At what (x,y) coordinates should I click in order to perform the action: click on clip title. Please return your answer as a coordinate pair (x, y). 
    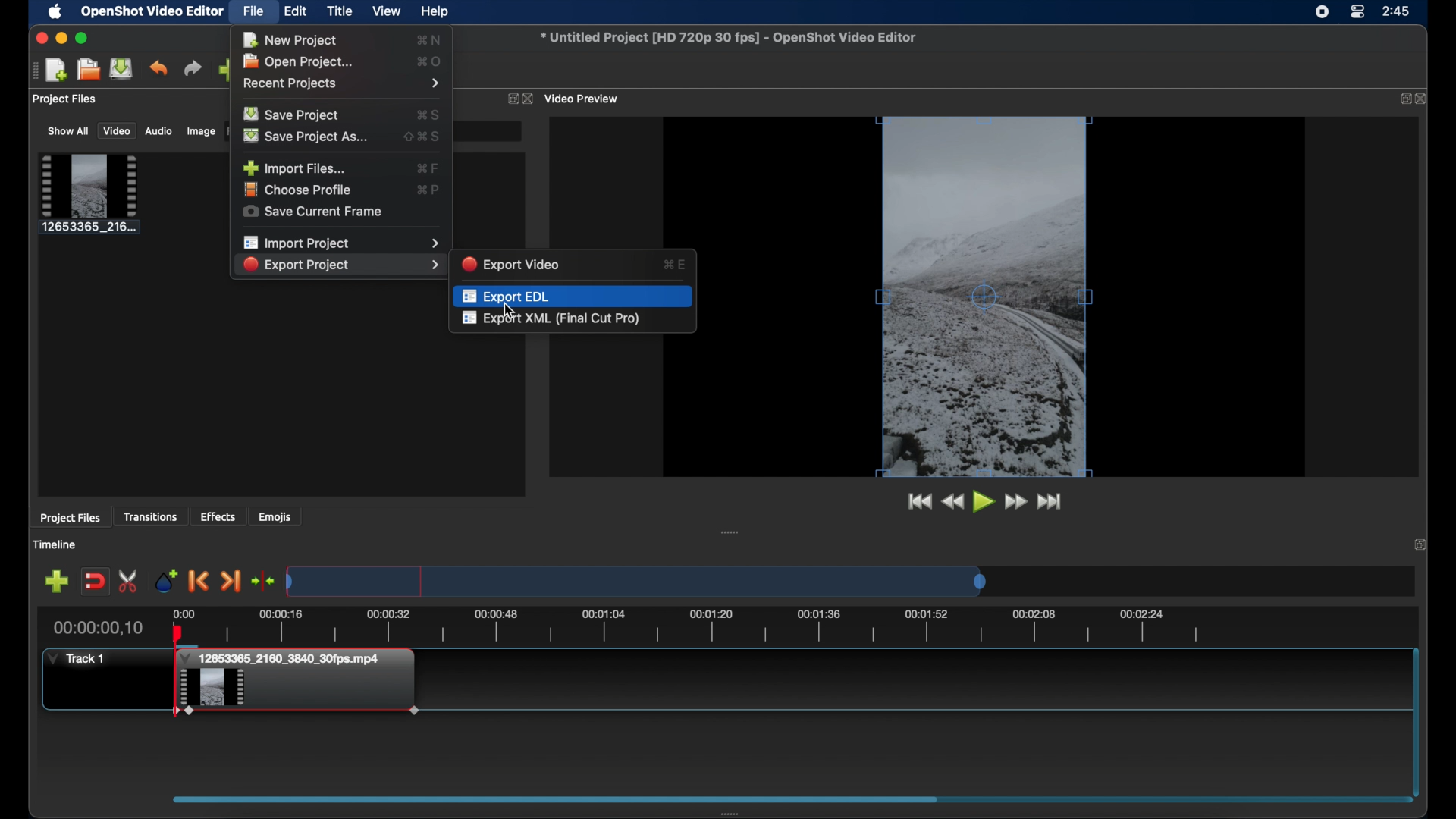
    Looking at the image, I should click on (285, 658).